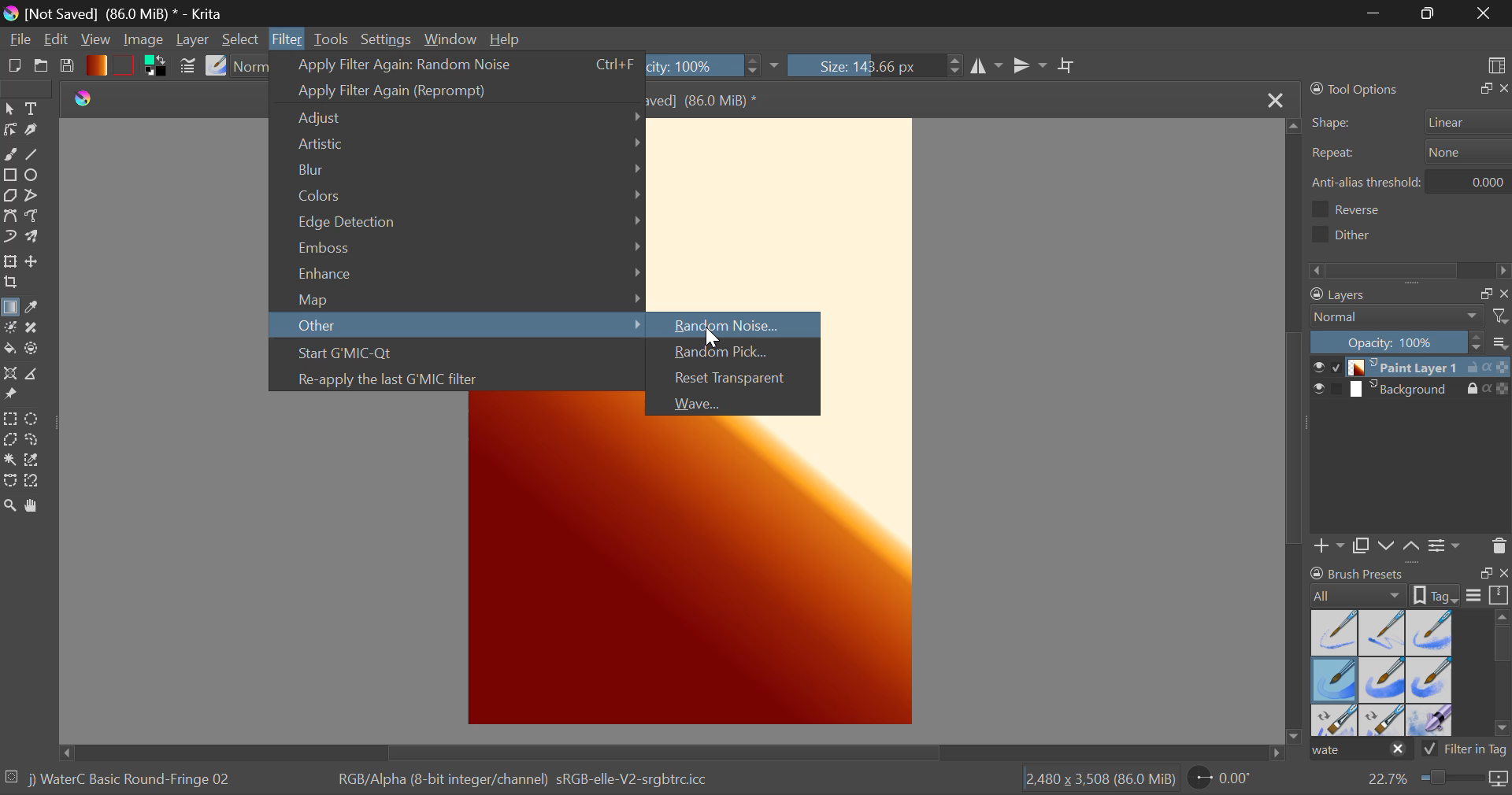  What do you see at coordinates (1363, 209) in the screenshot?
I see `reverse` at bounding box center [1363, 209].